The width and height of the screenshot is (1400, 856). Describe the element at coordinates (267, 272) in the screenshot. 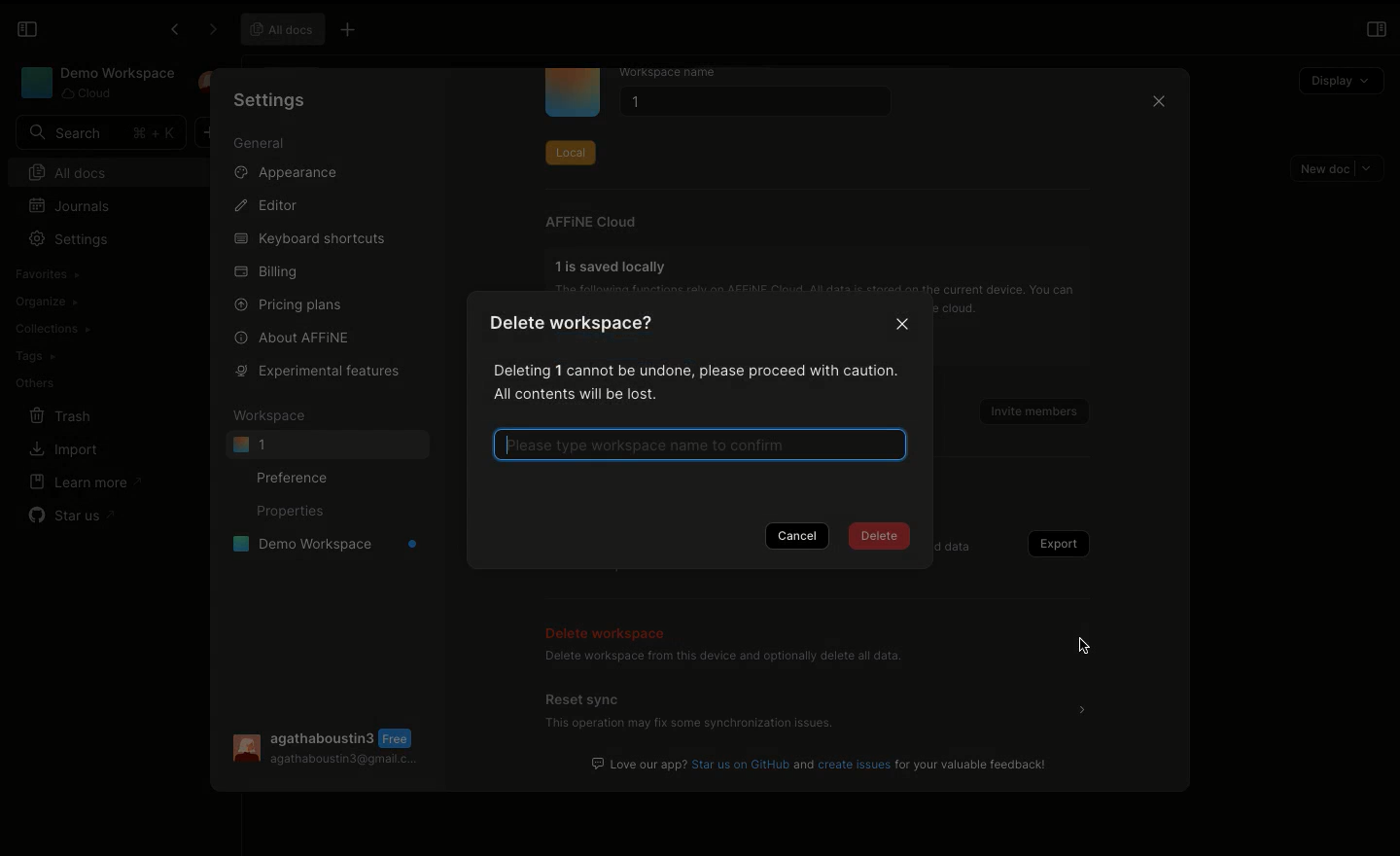

I see `Billing` at that location.